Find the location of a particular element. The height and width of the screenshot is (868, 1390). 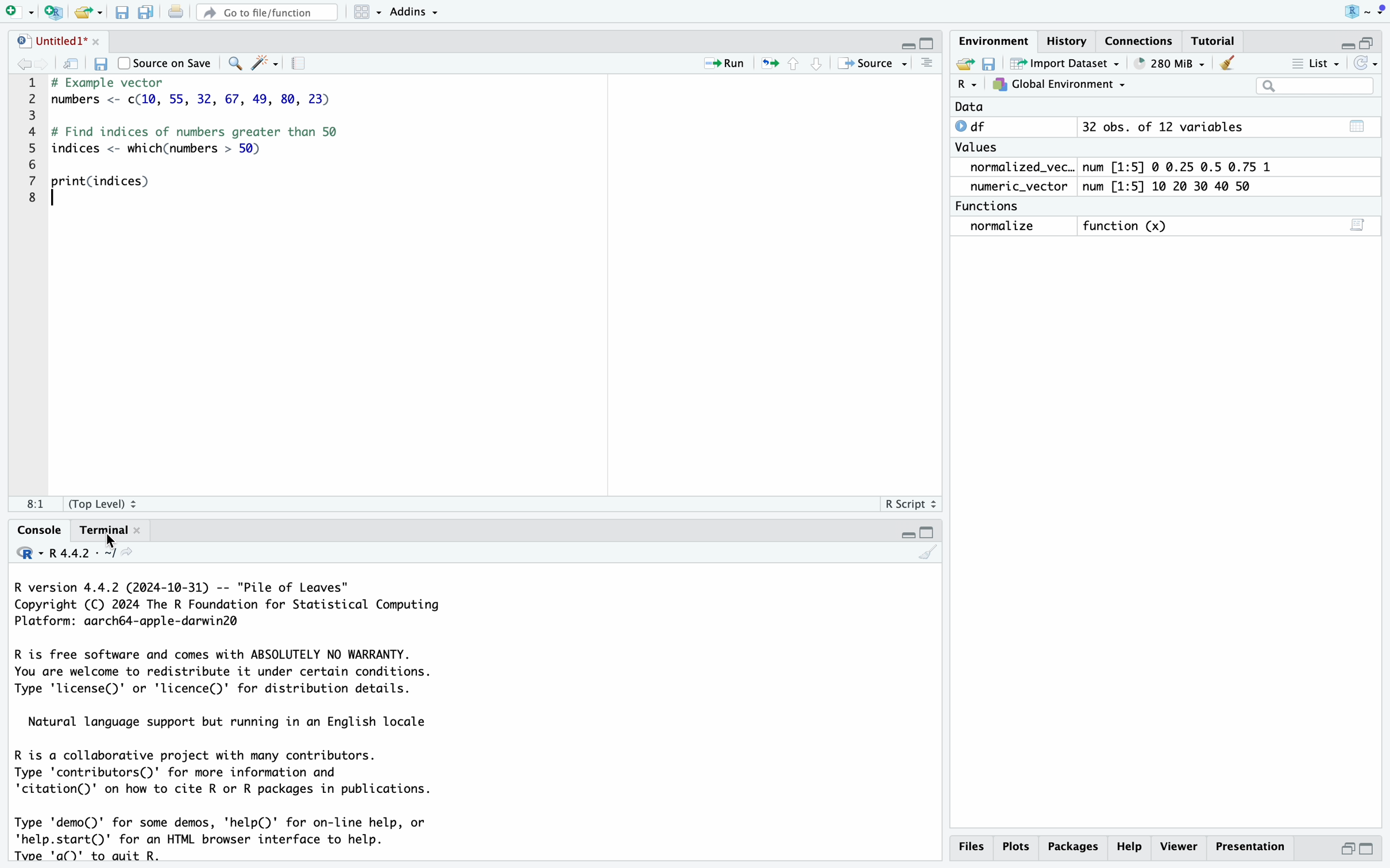

Addins is located at coordinates (411, 12).